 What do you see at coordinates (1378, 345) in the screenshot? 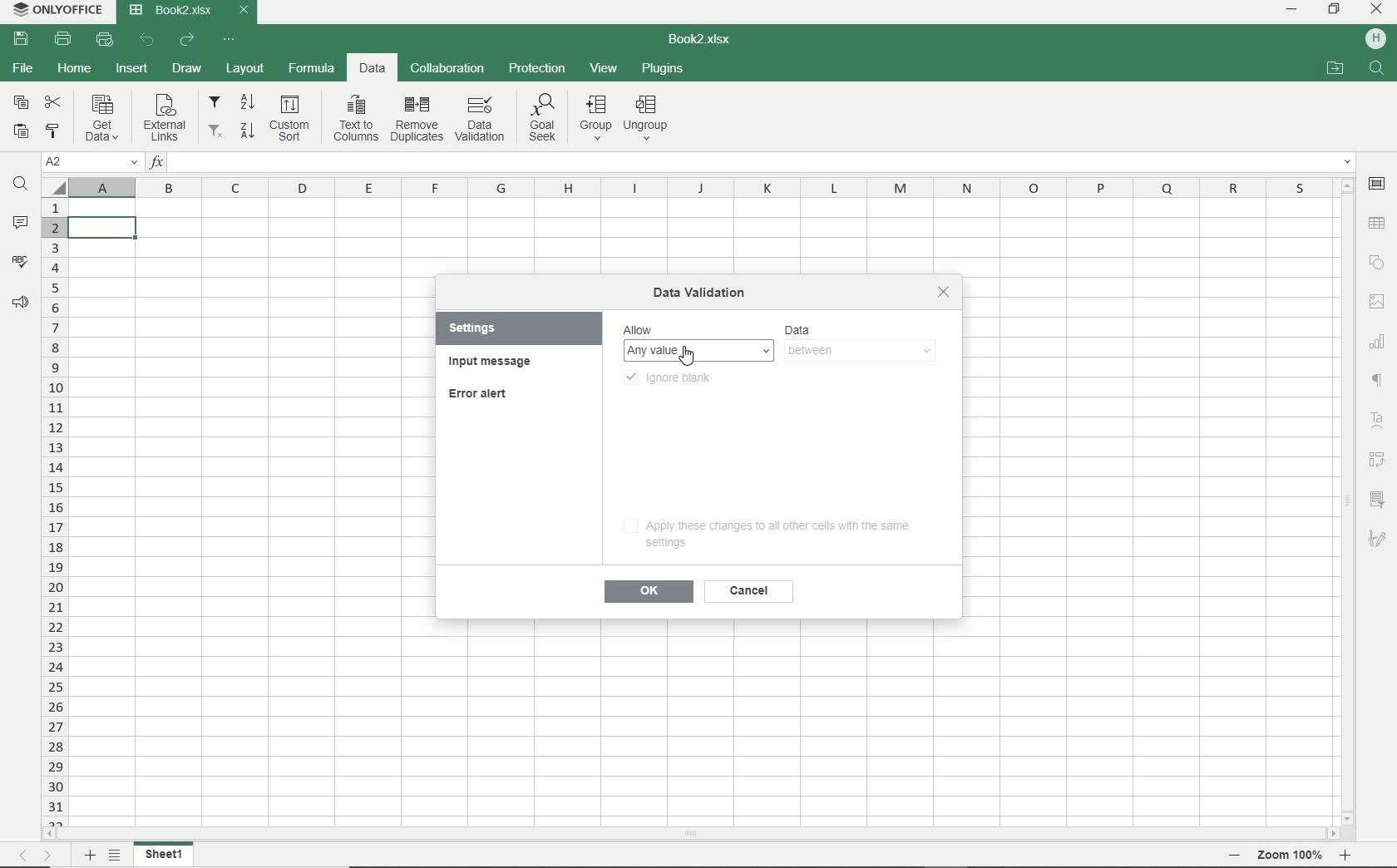
I see `CHART` at bounding box center [1378, 345].